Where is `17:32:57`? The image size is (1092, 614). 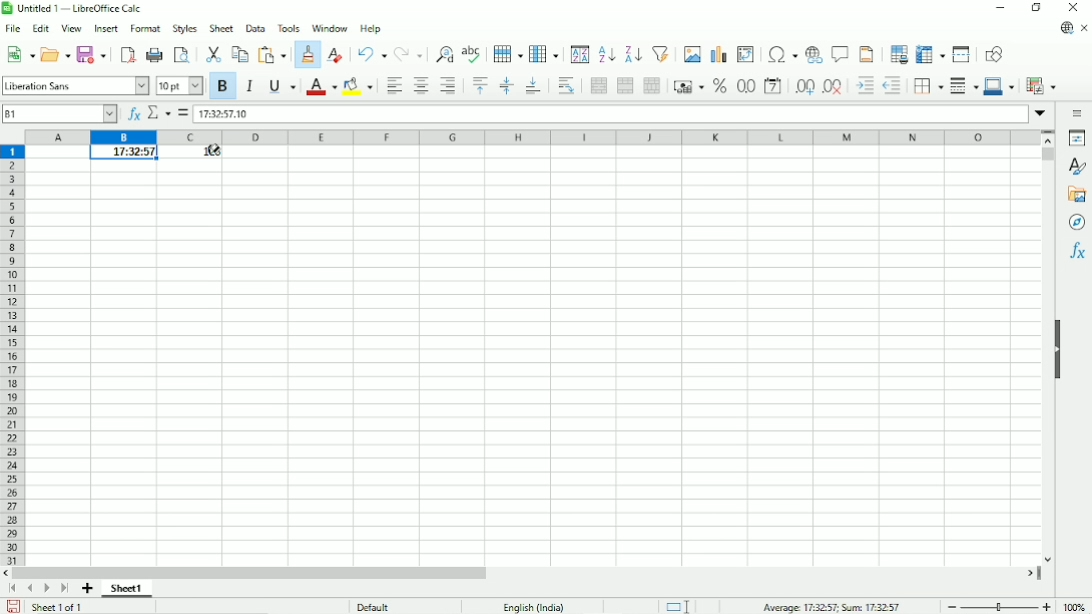
17:32:57 is located at coordinates (123, 153).